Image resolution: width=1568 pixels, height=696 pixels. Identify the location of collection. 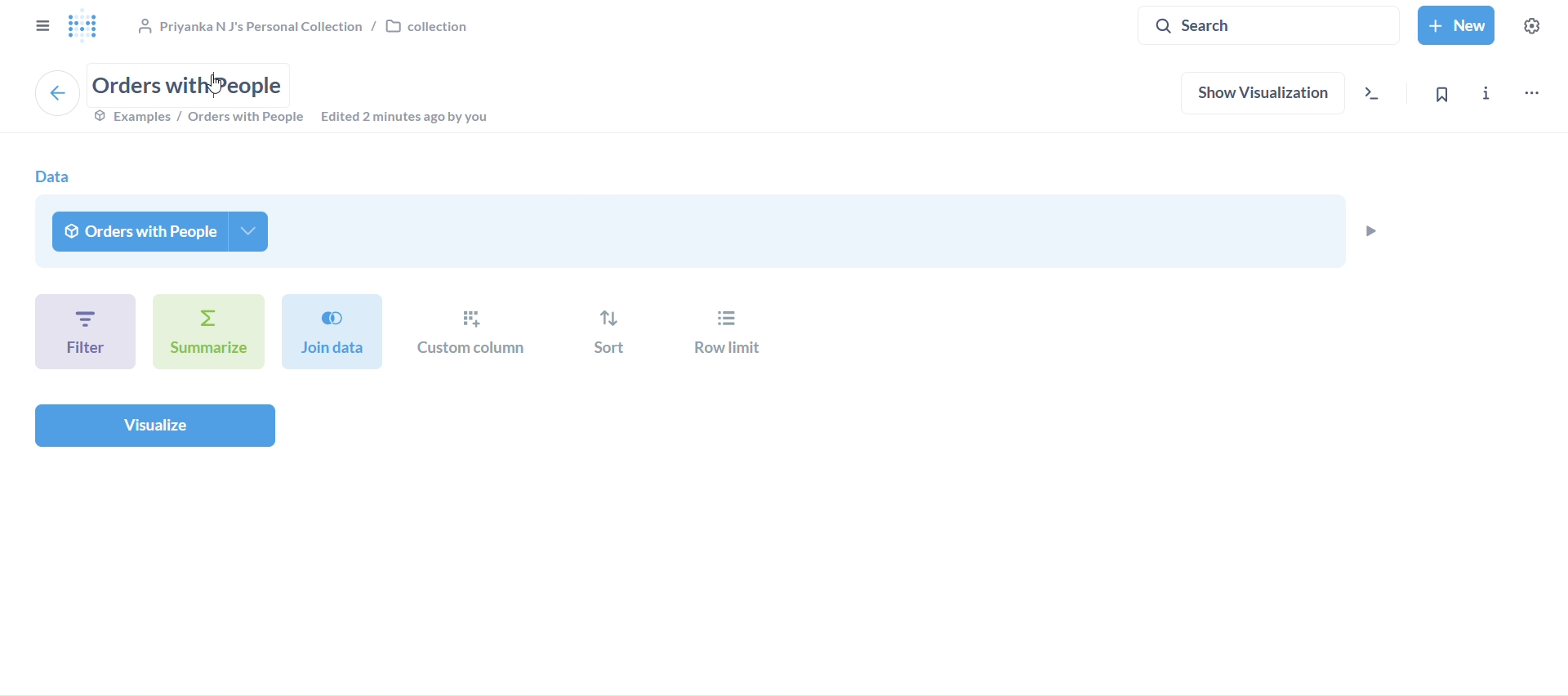
(301, 25).